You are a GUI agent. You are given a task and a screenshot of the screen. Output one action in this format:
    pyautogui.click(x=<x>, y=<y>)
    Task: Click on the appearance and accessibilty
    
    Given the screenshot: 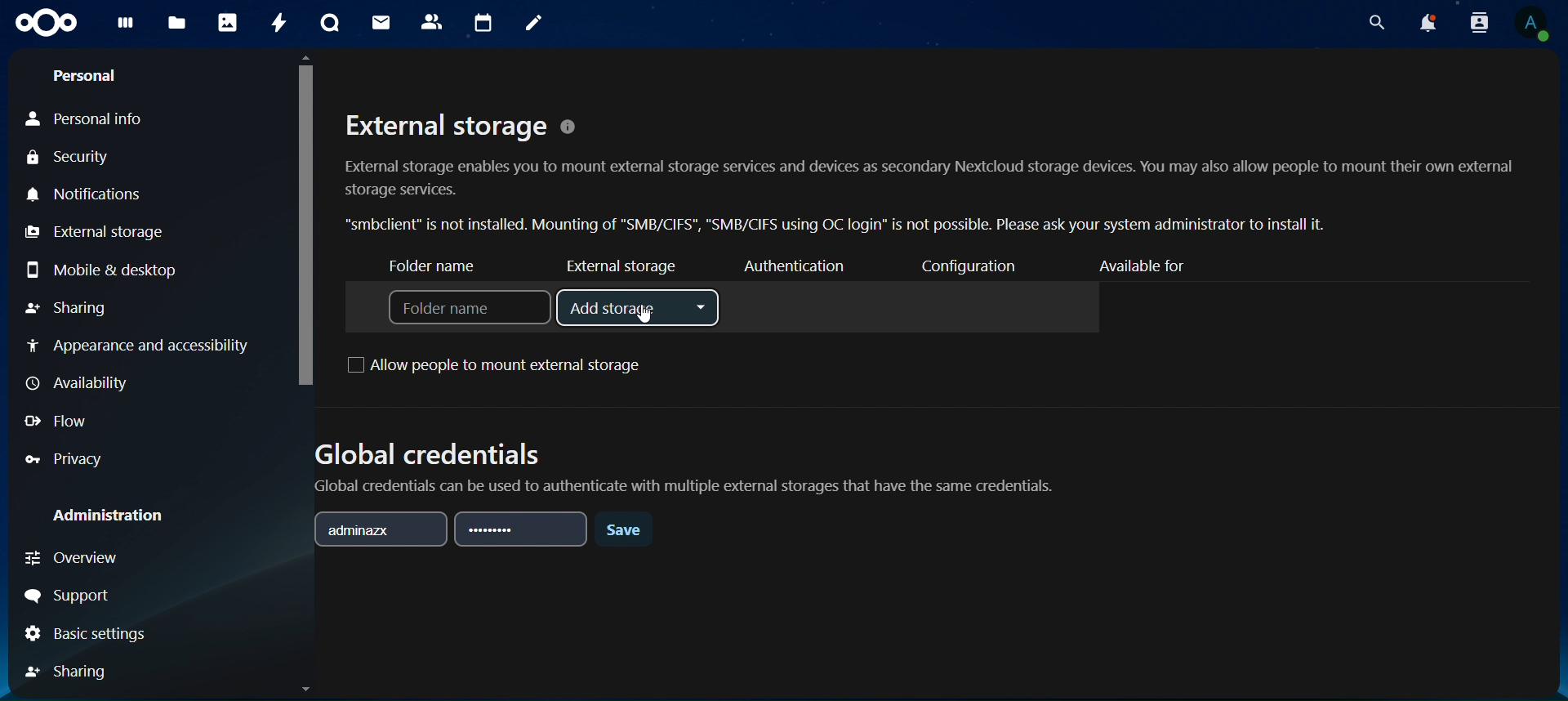 What is the action you would take?
    pyautogui.click(x=143, y=346)
    